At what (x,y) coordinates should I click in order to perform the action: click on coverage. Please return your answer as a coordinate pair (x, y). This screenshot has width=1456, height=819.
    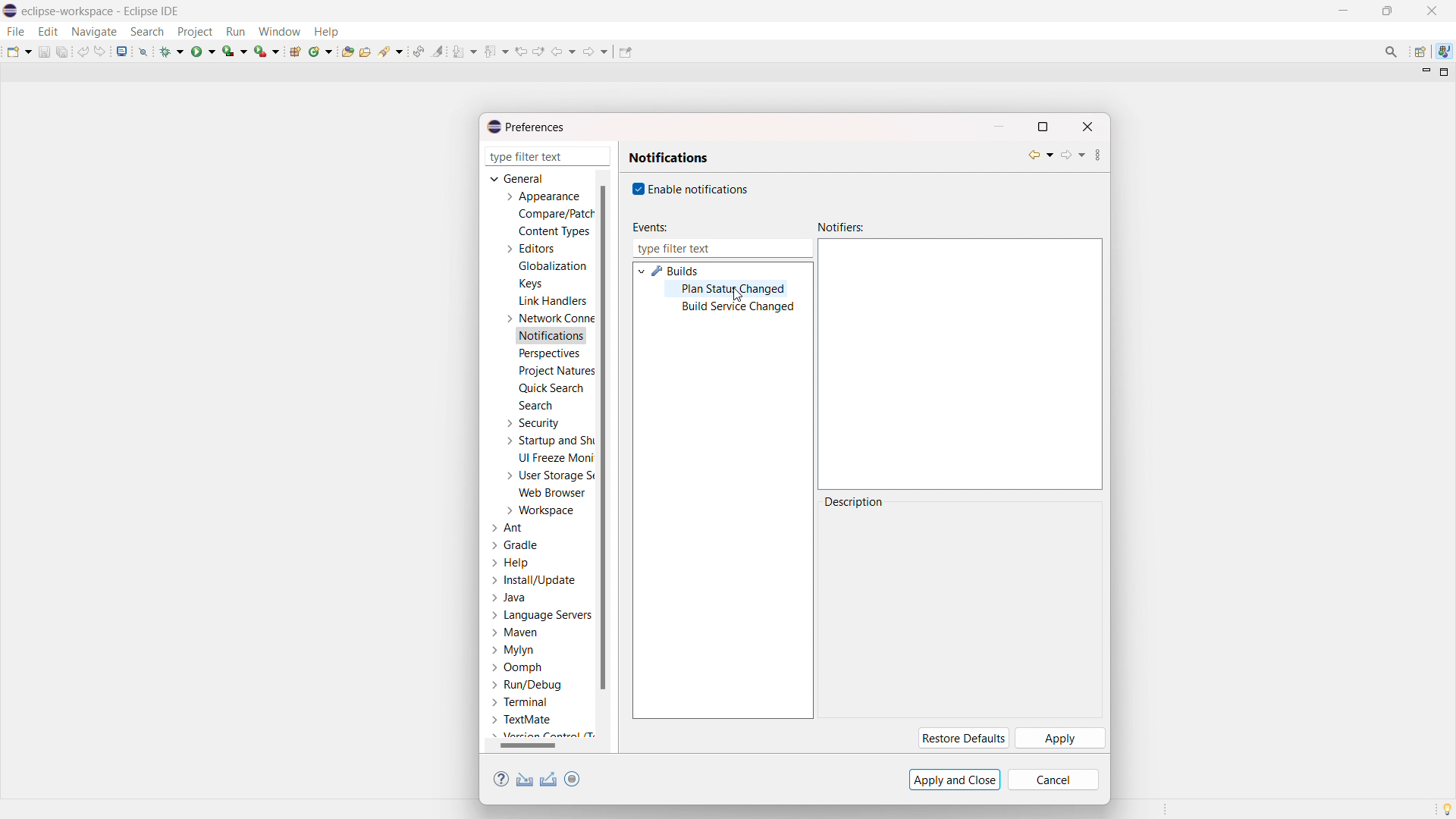
    Looking at the image, I should click on (235, 51).